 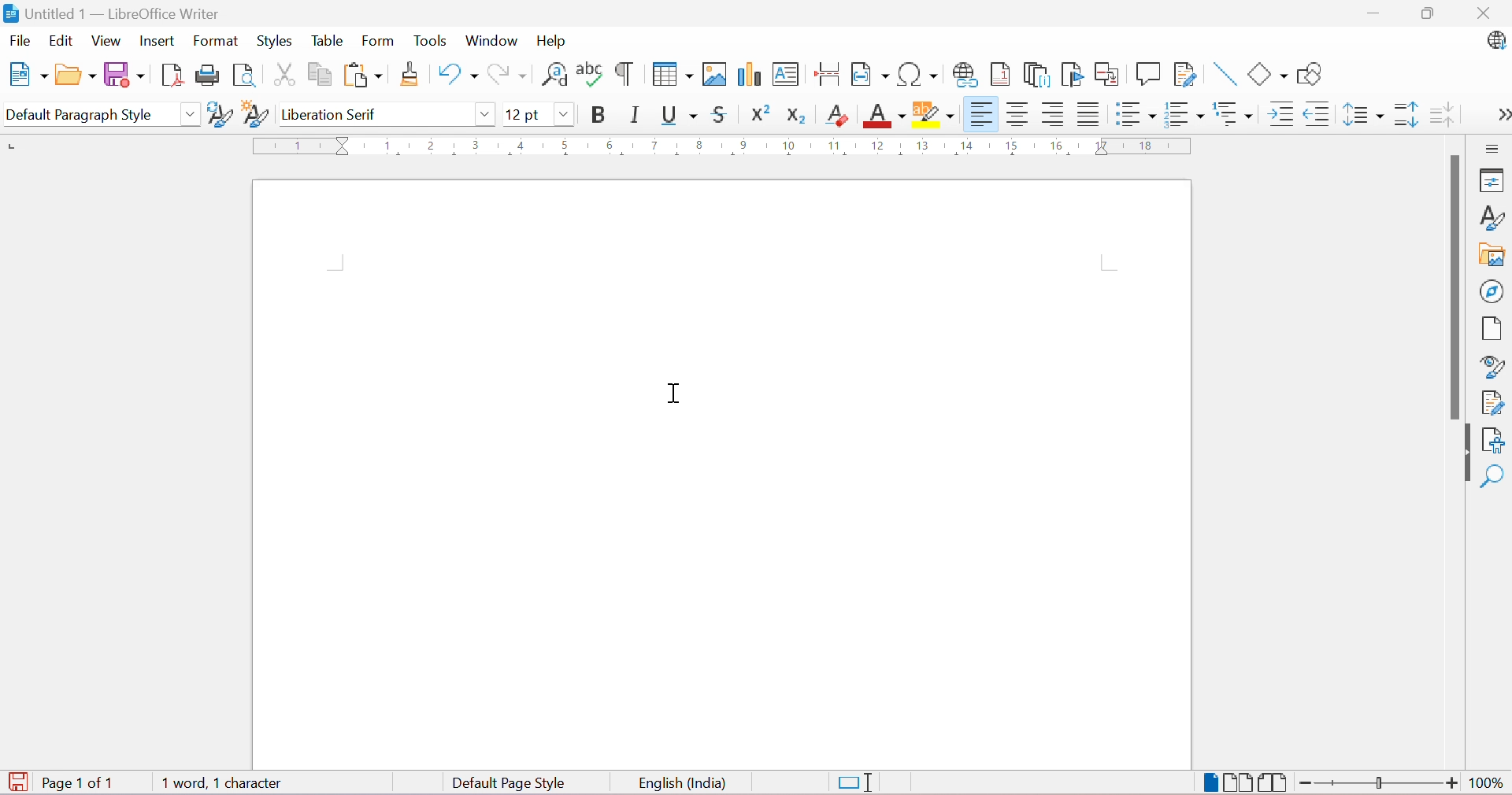 What do you see at coordinates (361, 75) in the screenshot?
I see `Paste` at bounding box center [361, 75].